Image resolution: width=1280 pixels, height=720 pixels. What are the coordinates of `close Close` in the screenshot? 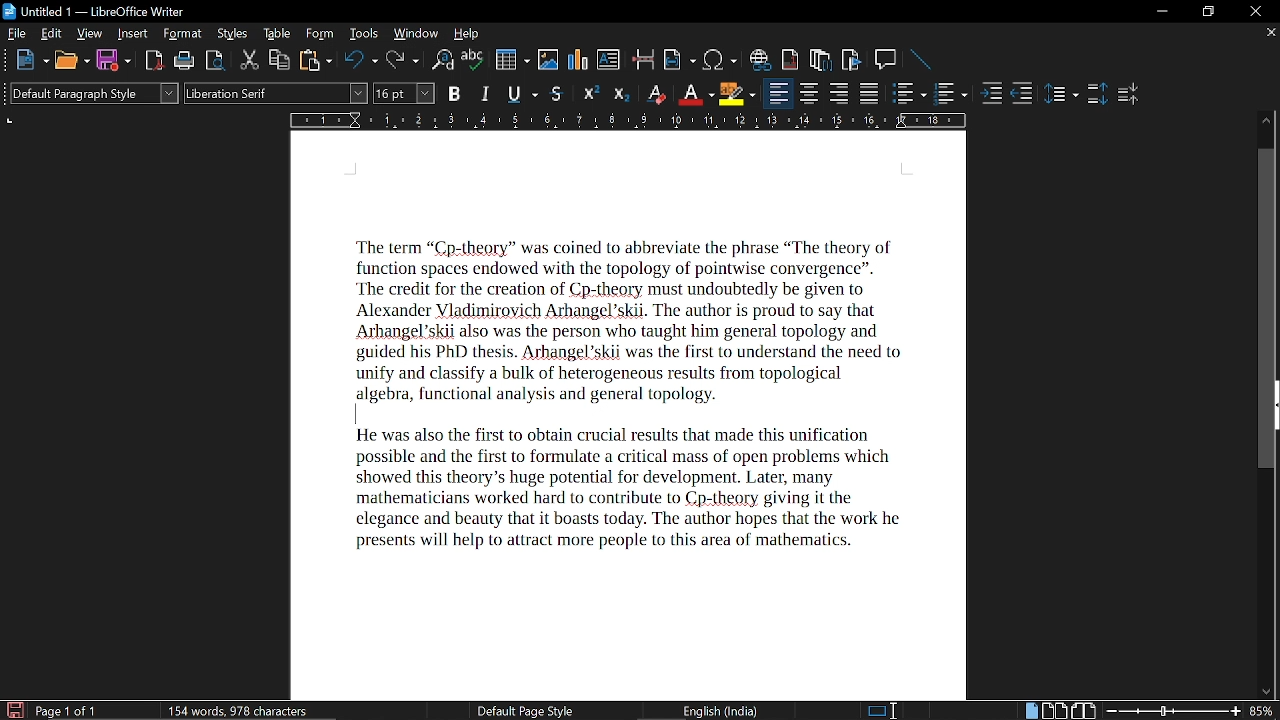 It's located at (1254, 10).